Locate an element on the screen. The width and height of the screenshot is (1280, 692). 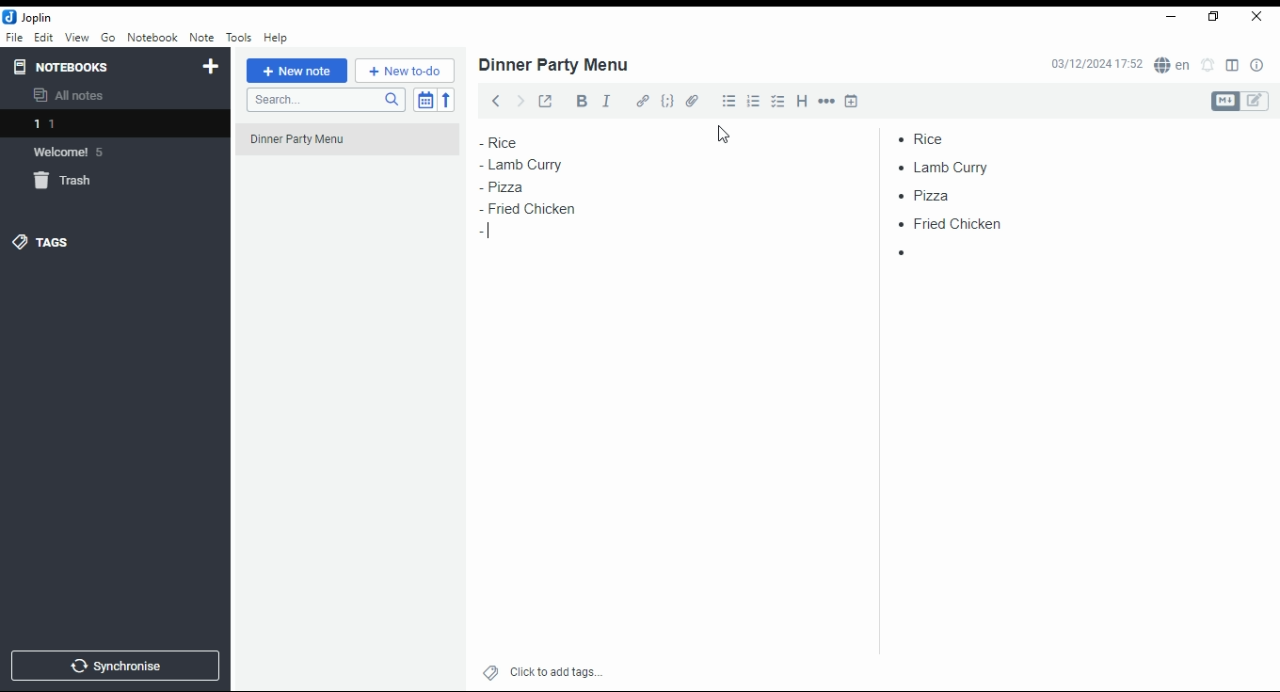
lamb curry is located at coordinates (950, 167).